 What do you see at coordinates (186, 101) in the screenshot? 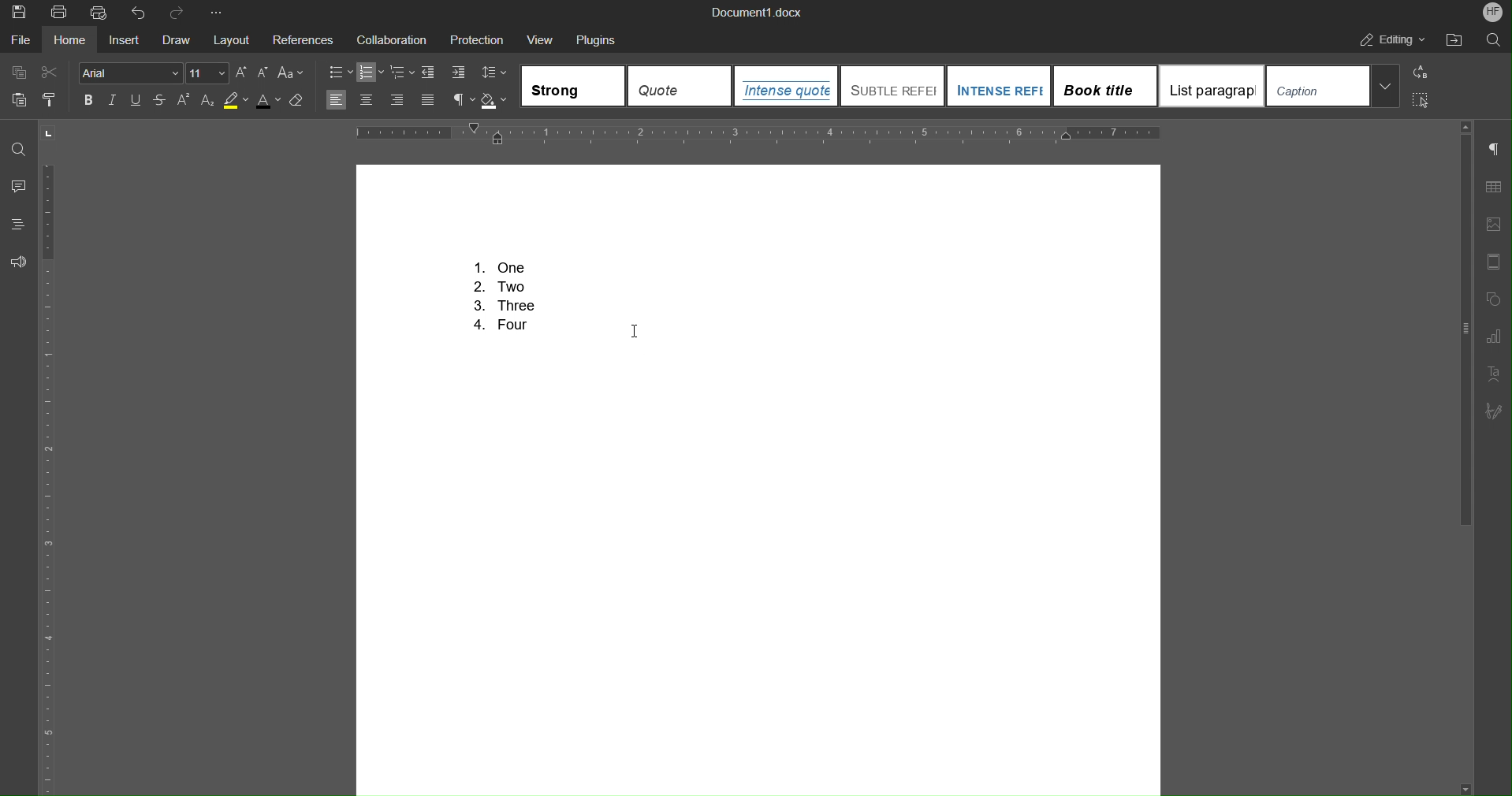
I see `Superscript` at bounding box center [186, 101].